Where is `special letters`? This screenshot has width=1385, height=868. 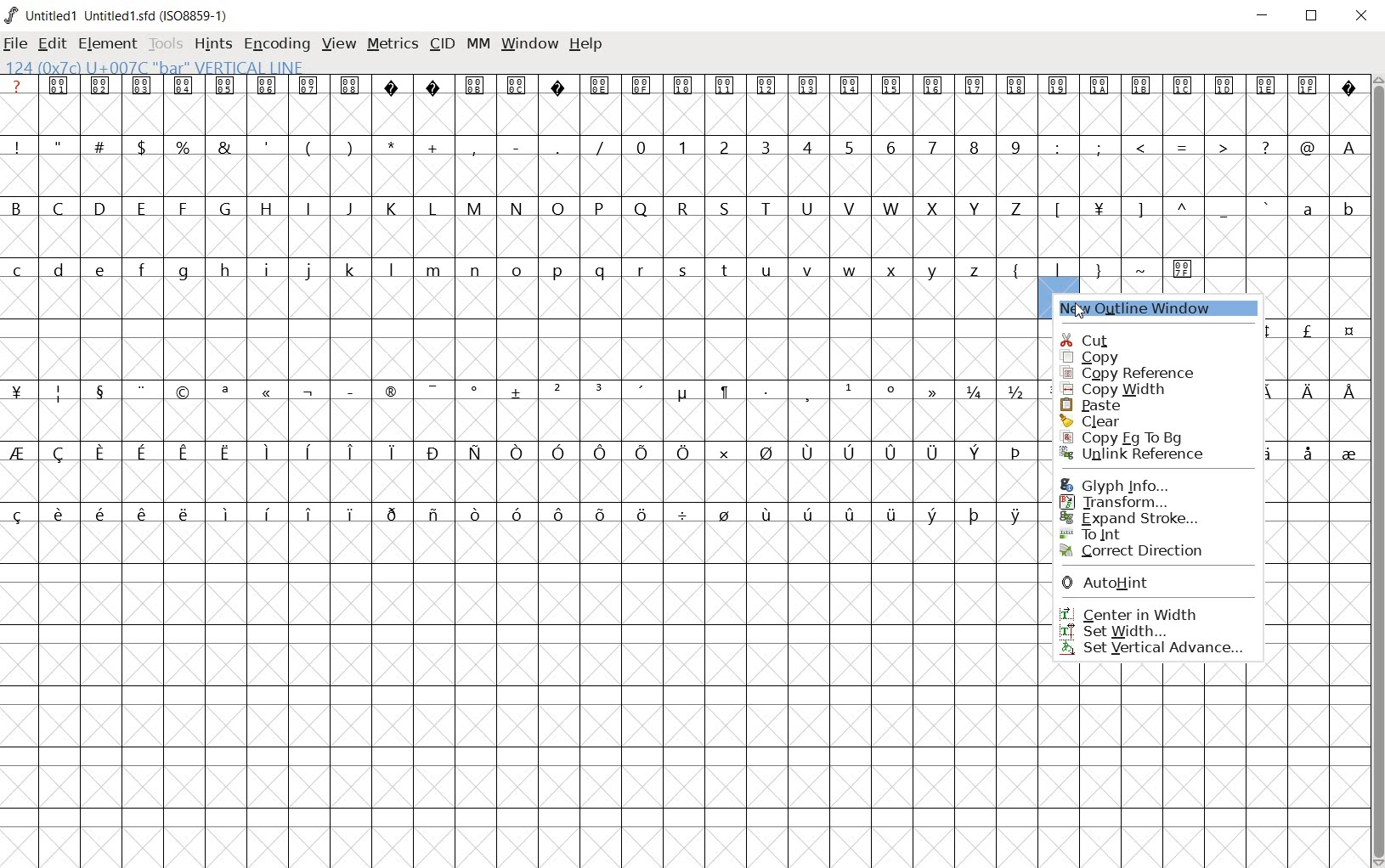
special letters is located at coordinates (520, 451).